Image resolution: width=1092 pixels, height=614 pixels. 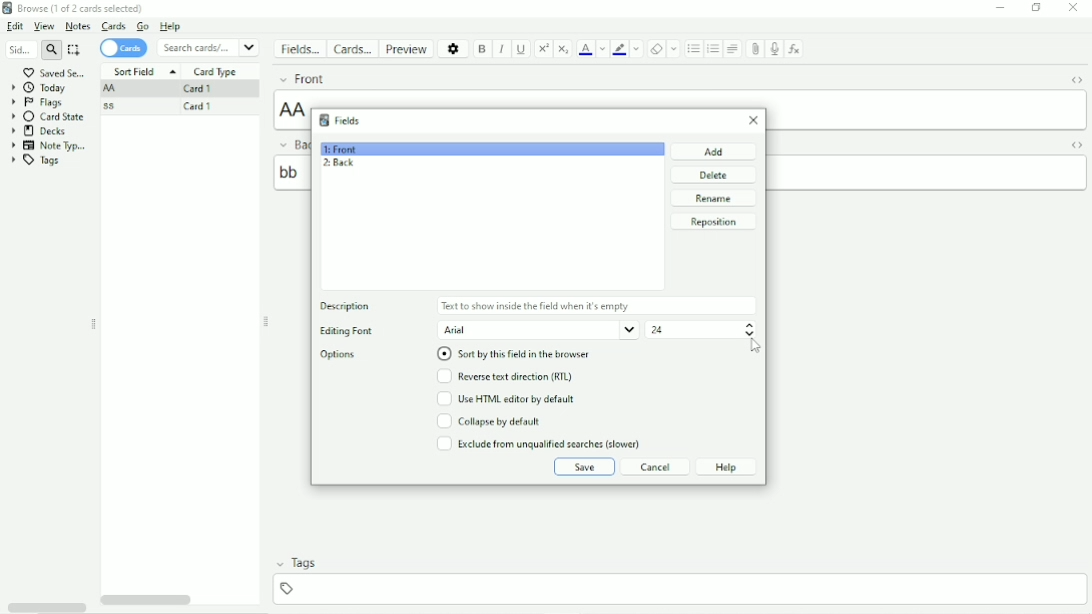 I want to click on Bold, so click(x=483, y=49).